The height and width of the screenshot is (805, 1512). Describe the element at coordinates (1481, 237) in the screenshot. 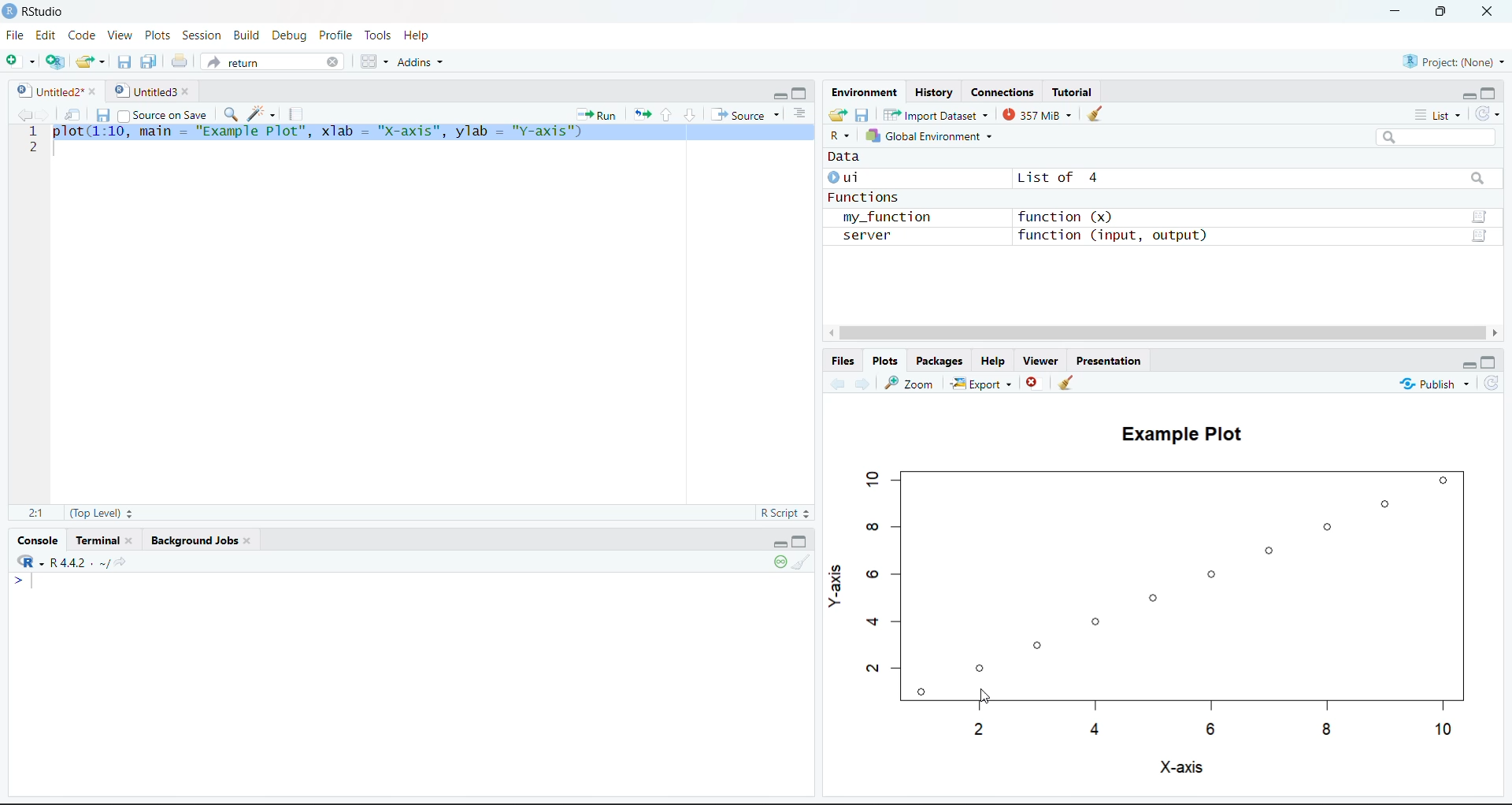

I see `Data/Table` at that location.